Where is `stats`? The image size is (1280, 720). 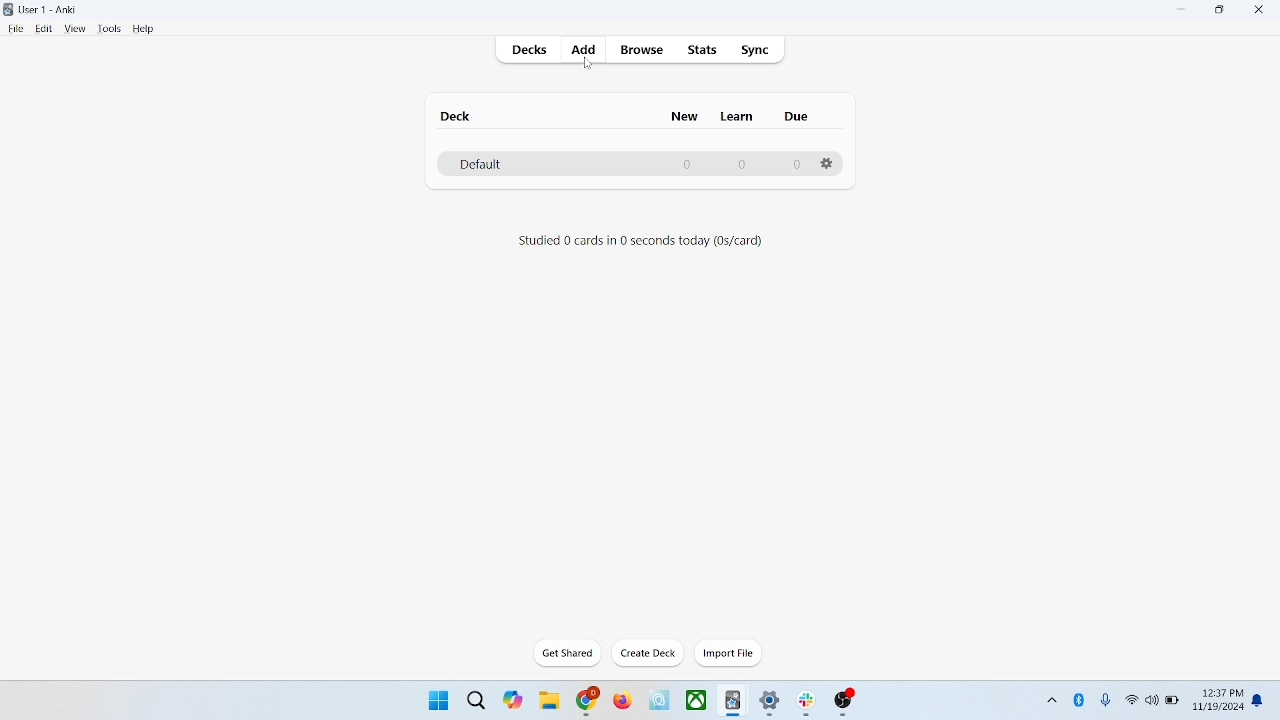 stats is located at coordinates (701, 50).